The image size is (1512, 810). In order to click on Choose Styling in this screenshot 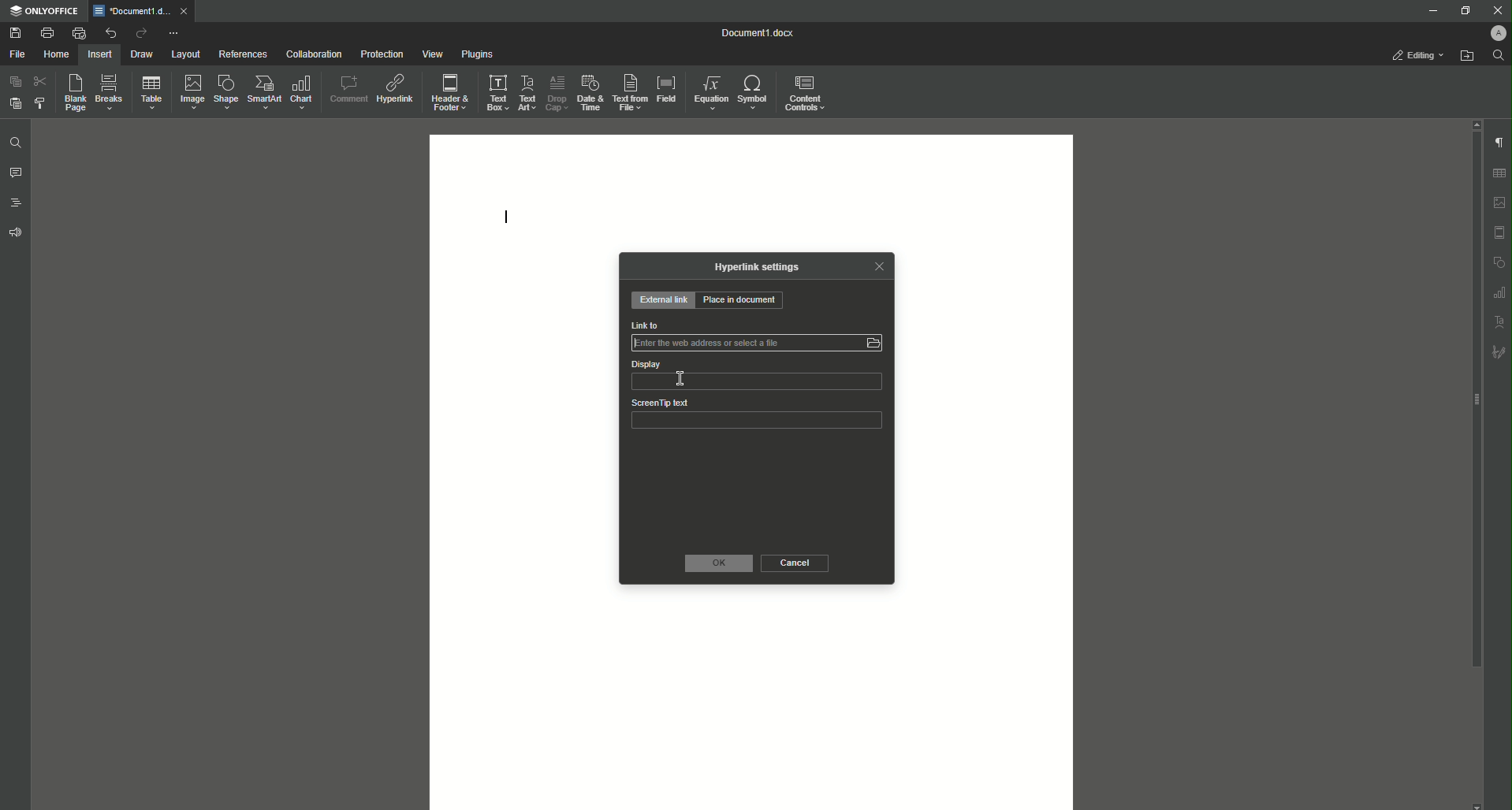, I will do `click(39, 103)`.